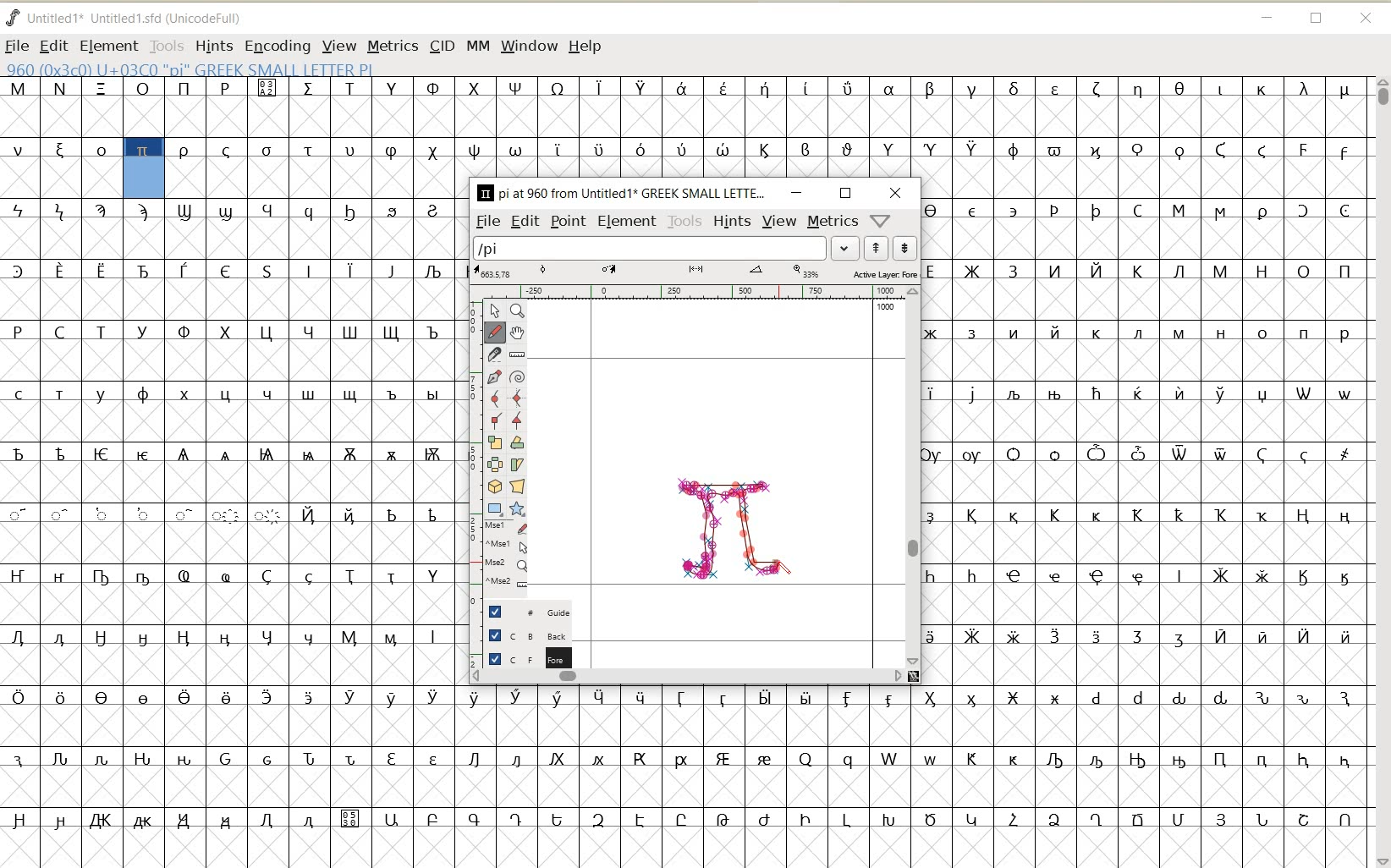  What do you see at coordinates (16, 46) in the screenshot?
I see `FILE` at bounding box center [16, 46].